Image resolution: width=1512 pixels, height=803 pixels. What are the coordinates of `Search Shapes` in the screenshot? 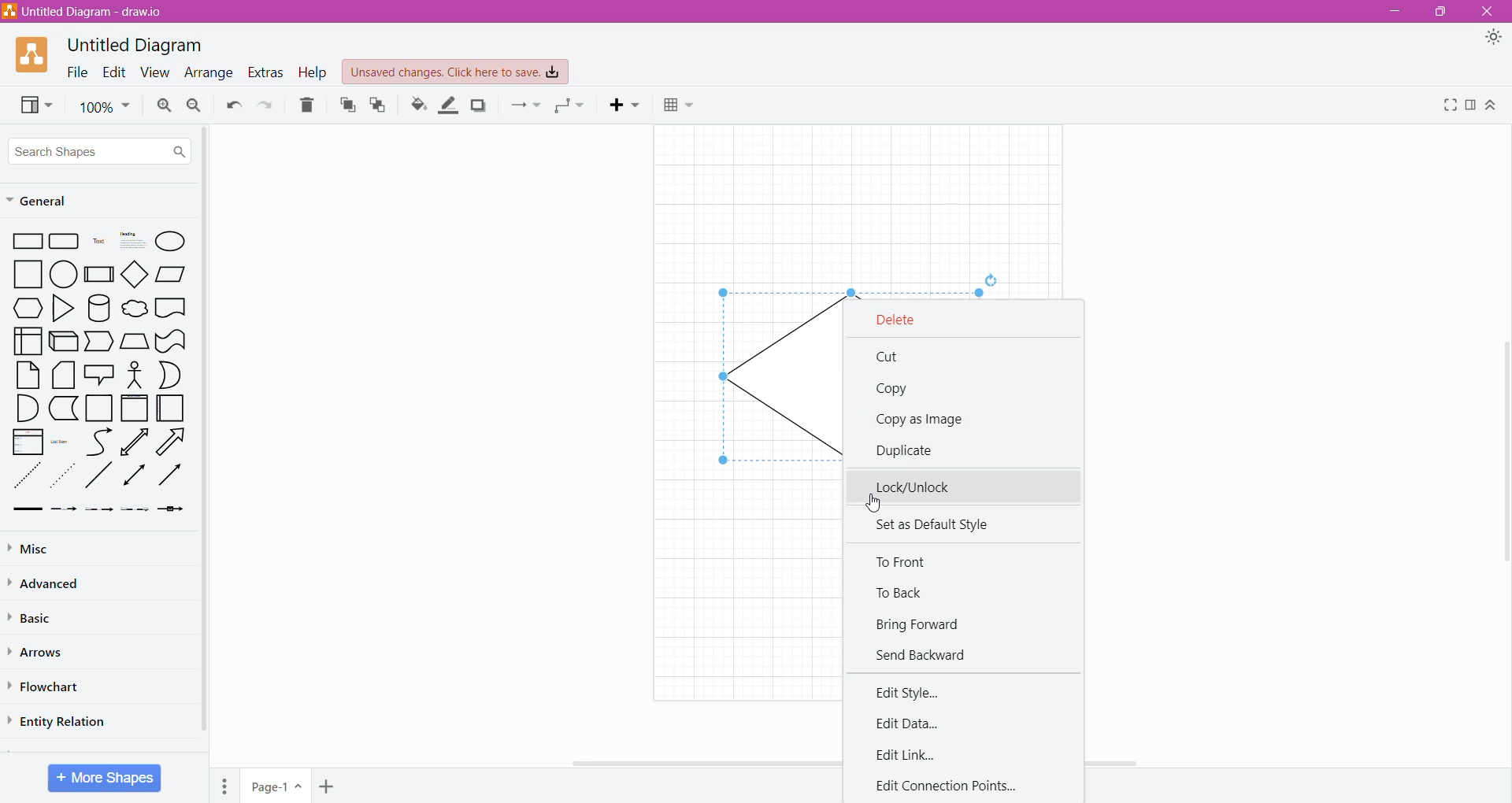 It's located at (101, 149).